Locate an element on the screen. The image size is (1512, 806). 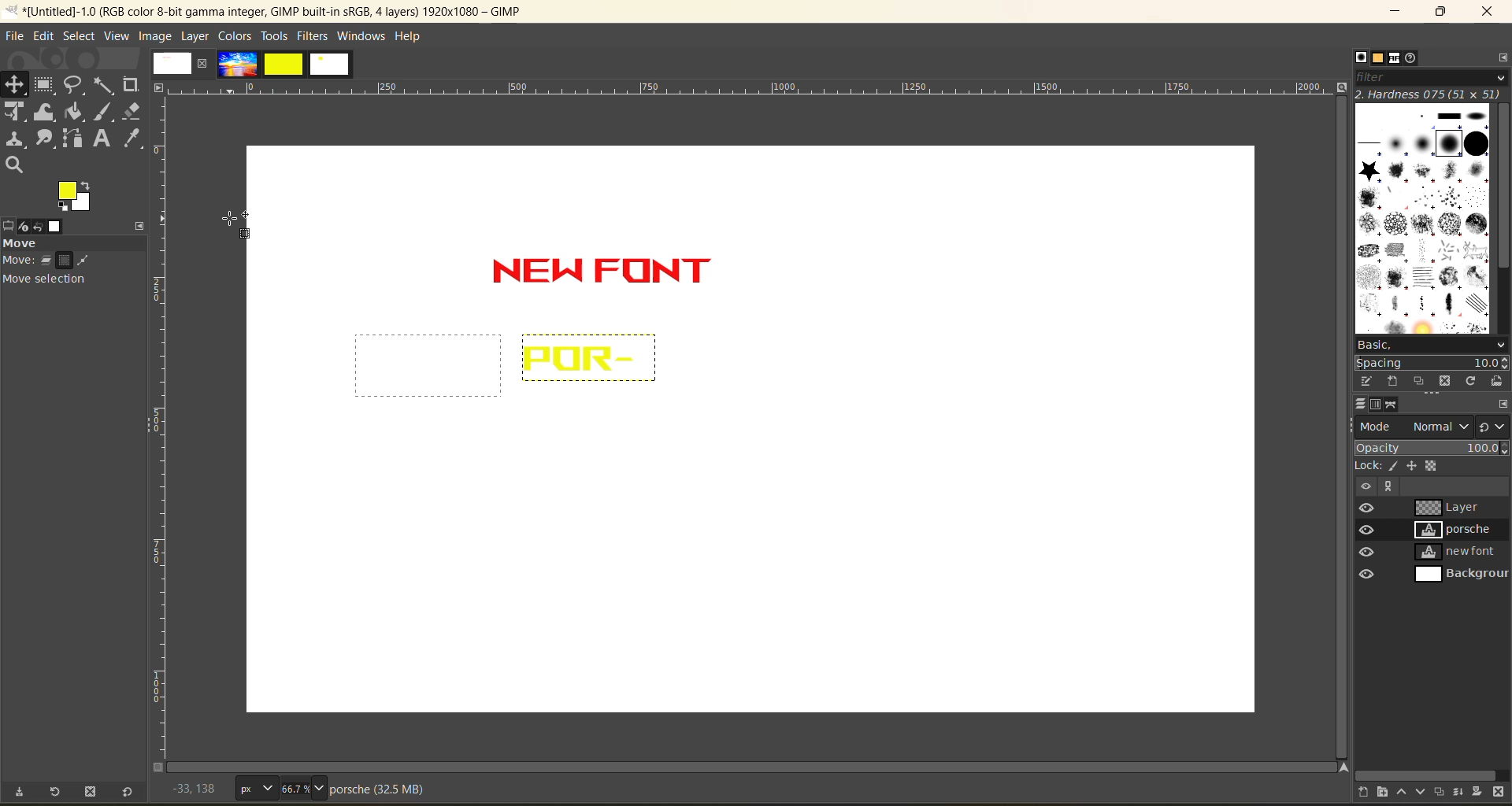
coordinates is located at coordinates (192, 788).